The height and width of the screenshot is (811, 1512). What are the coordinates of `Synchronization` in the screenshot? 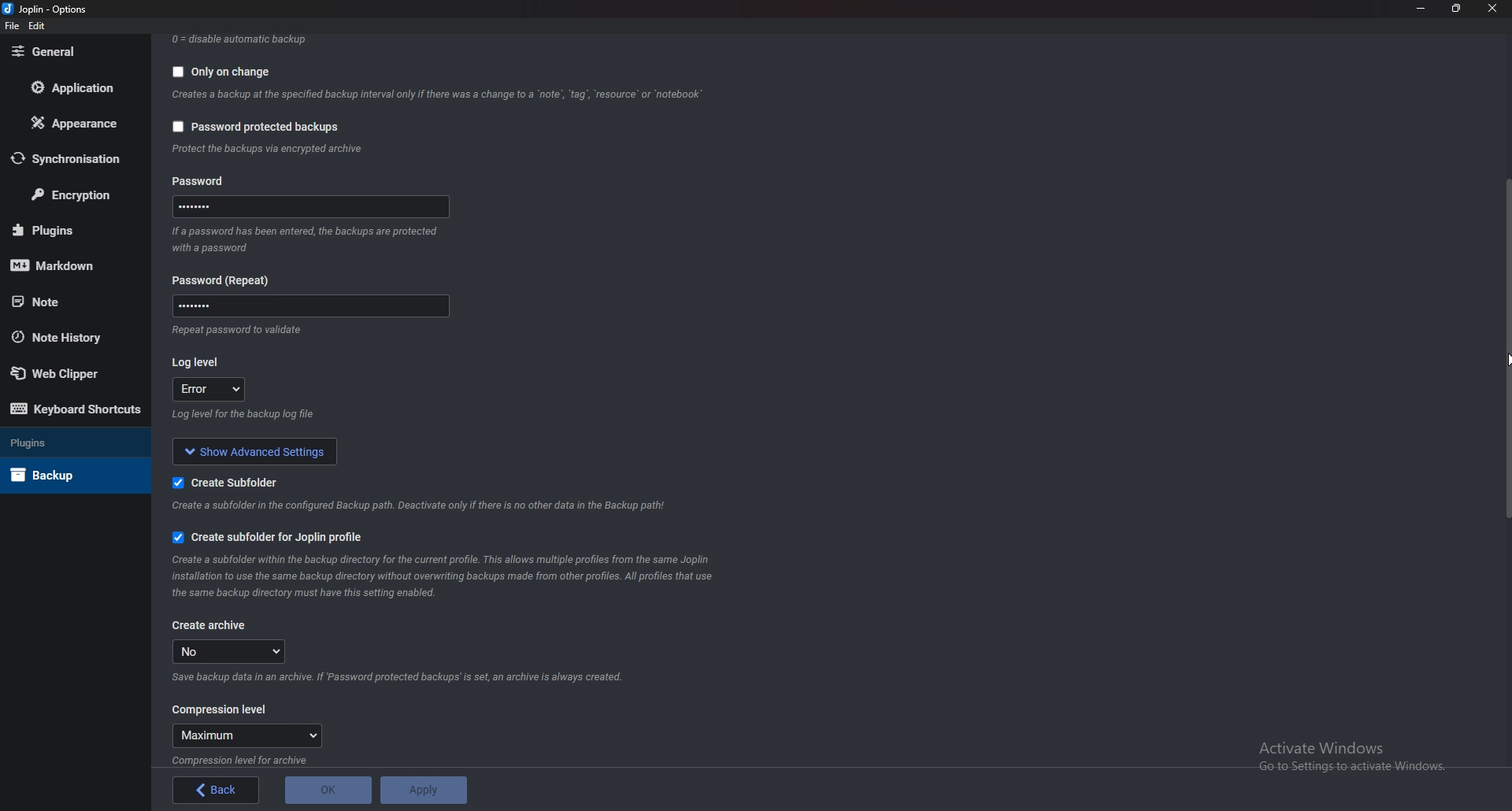 It's located at (75, 158).